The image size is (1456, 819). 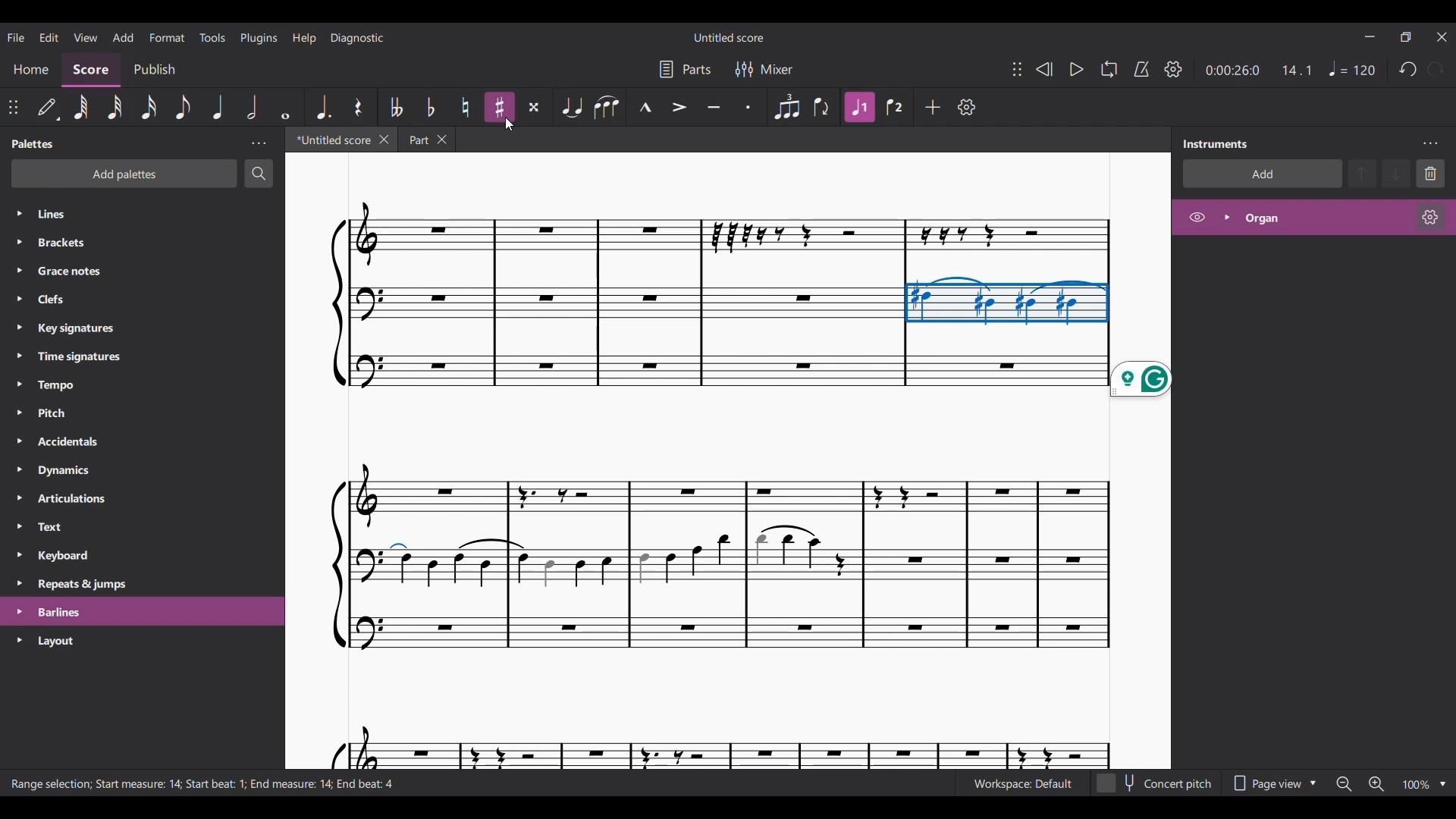 What do you see at coordinates (16, 36) in the screenshot?
I see `File menu` at bounding box center [16, 36].